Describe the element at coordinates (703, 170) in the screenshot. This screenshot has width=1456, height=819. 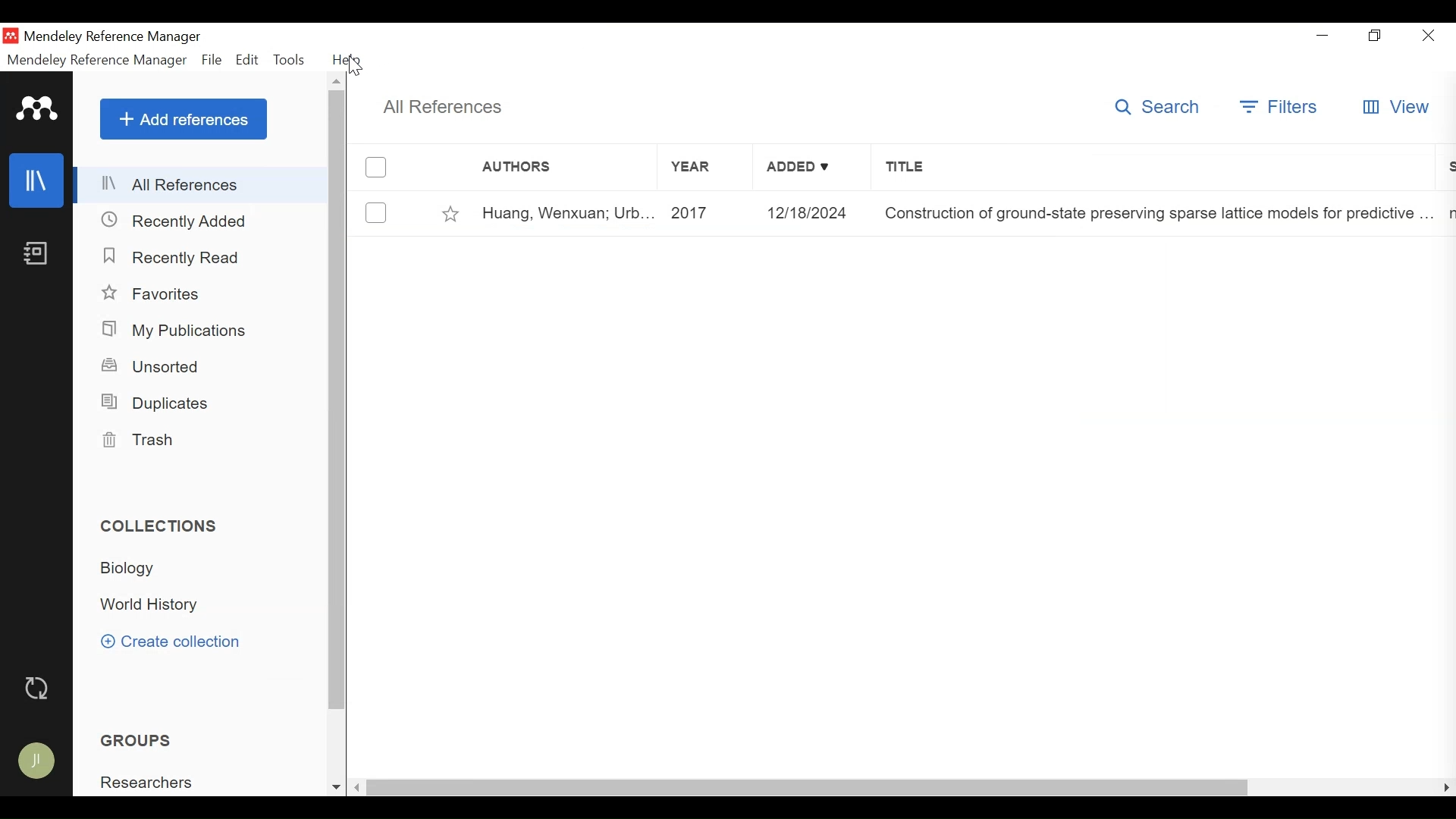
I see `Year` at that location.